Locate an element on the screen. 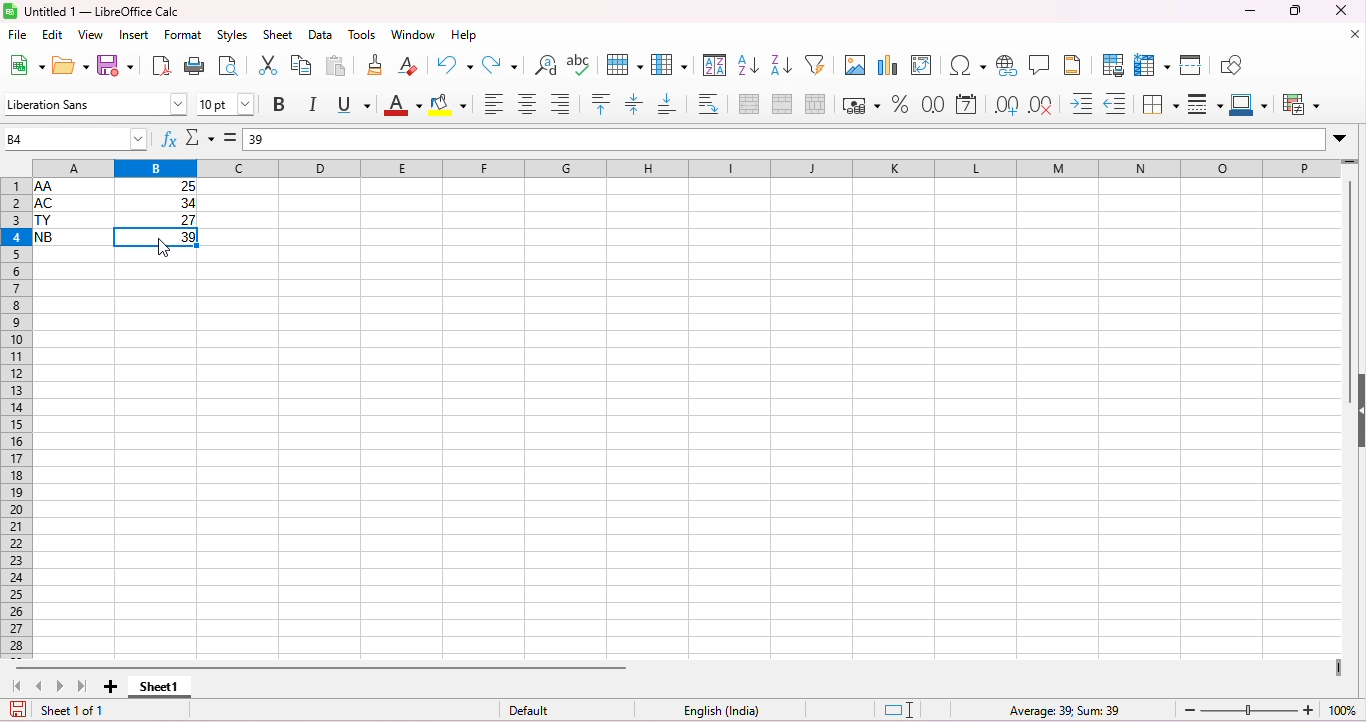 The image size is (1366, 722). insert image is located at coordinates (855, 65).